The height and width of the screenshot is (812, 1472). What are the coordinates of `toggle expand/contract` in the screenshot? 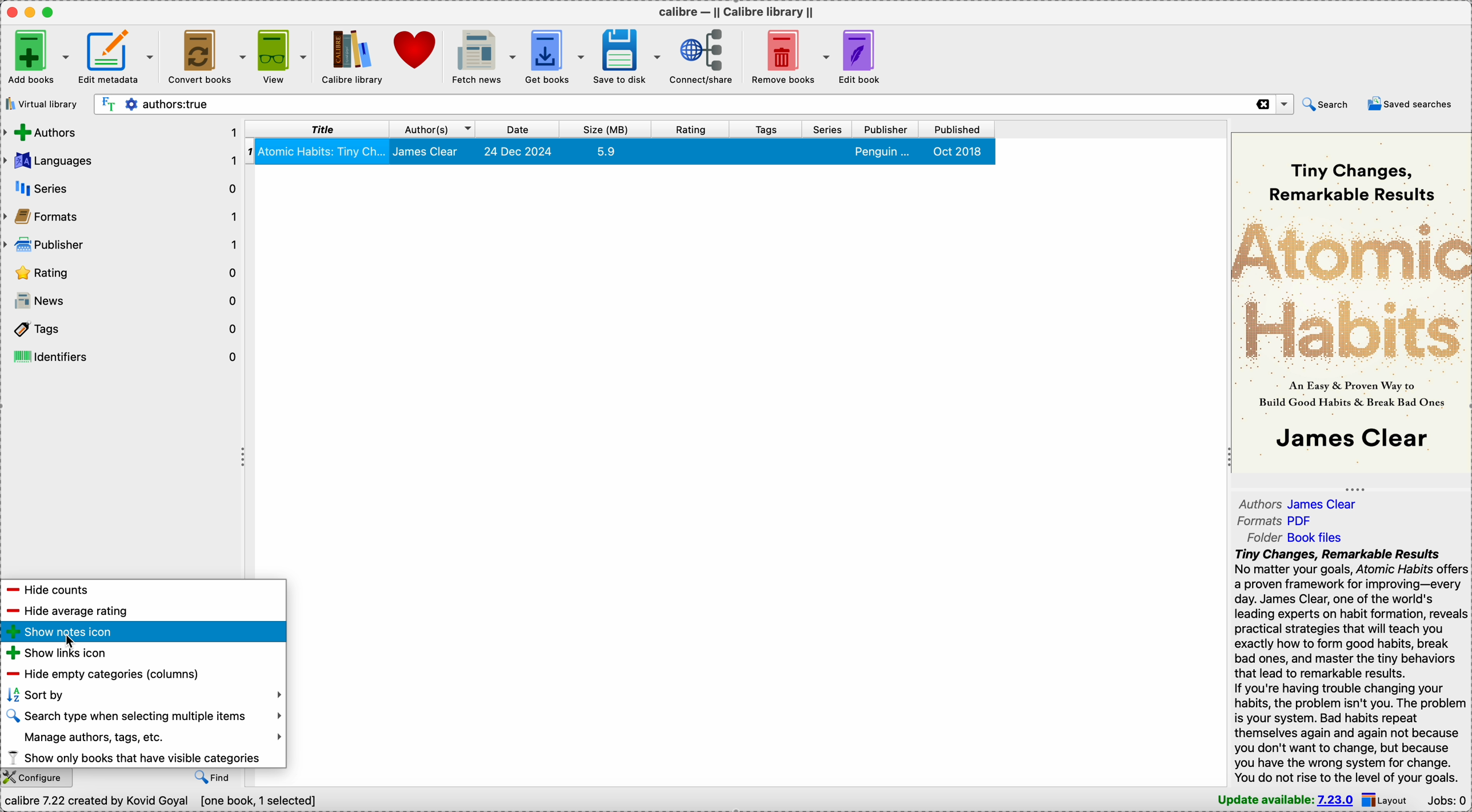 It's located at (243, 457).